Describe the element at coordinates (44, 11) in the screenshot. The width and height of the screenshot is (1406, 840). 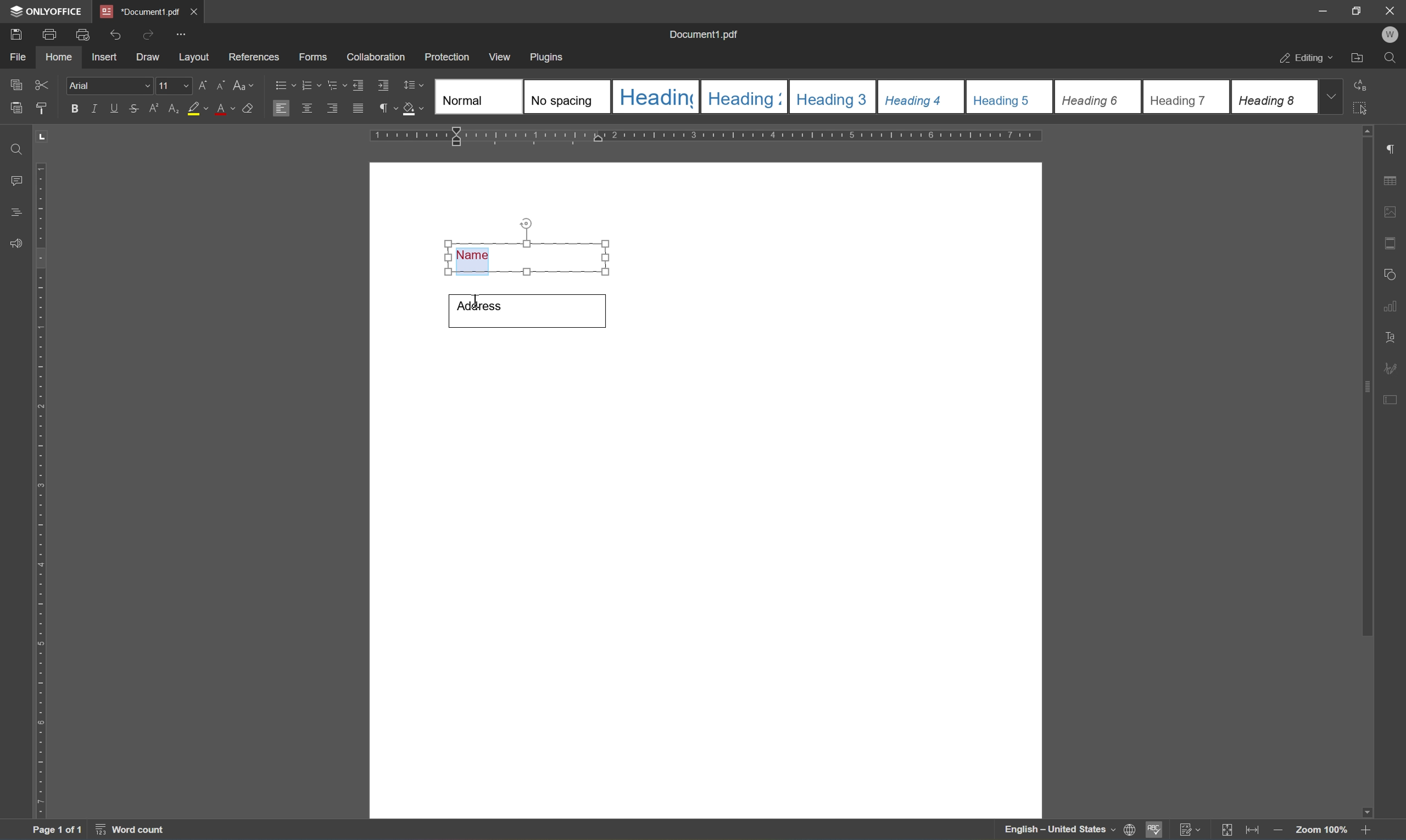
I see `ONLYOFFICE` at that location.